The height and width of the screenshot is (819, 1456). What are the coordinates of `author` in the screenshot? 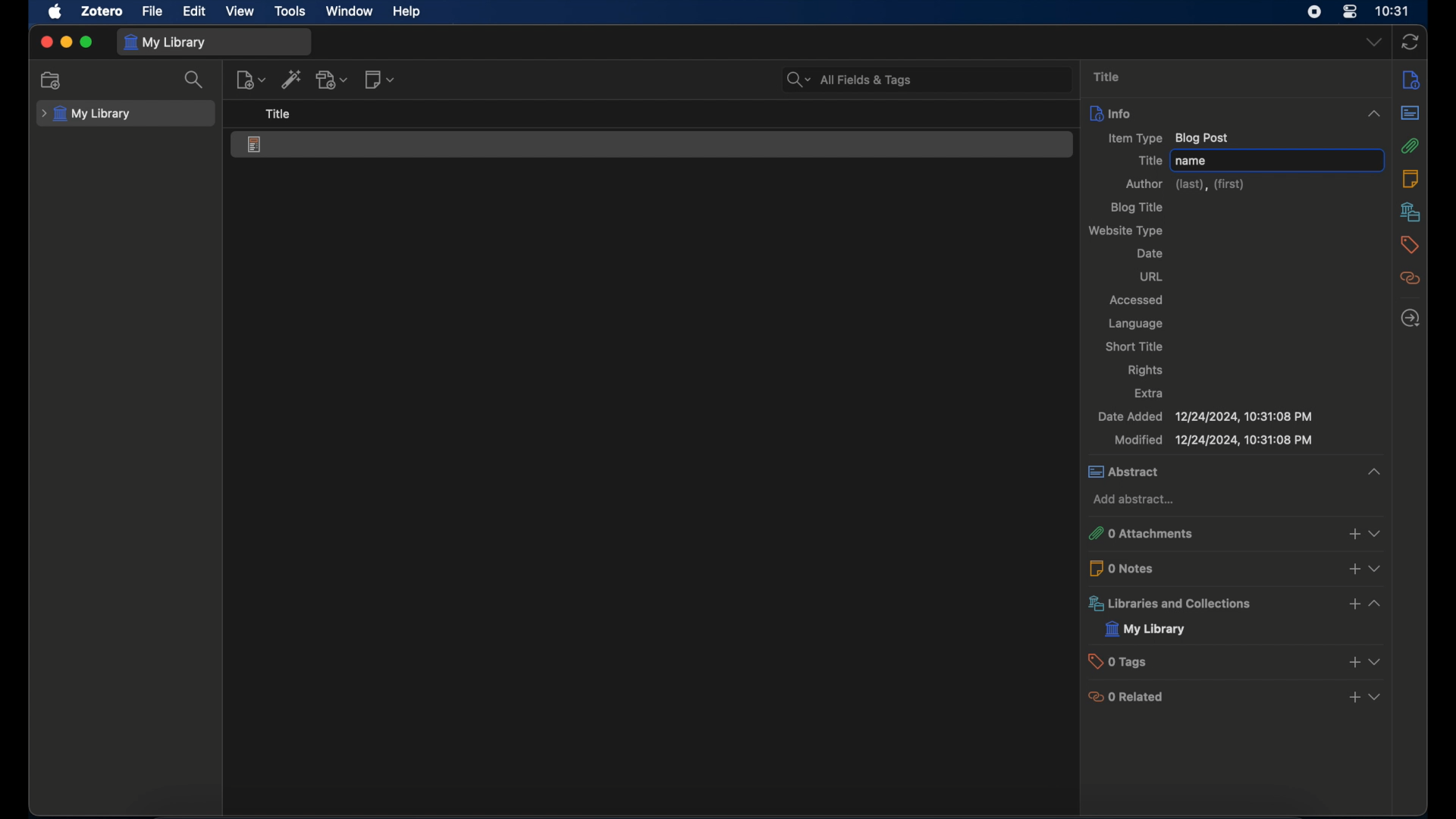 It's located at (1185, 184).